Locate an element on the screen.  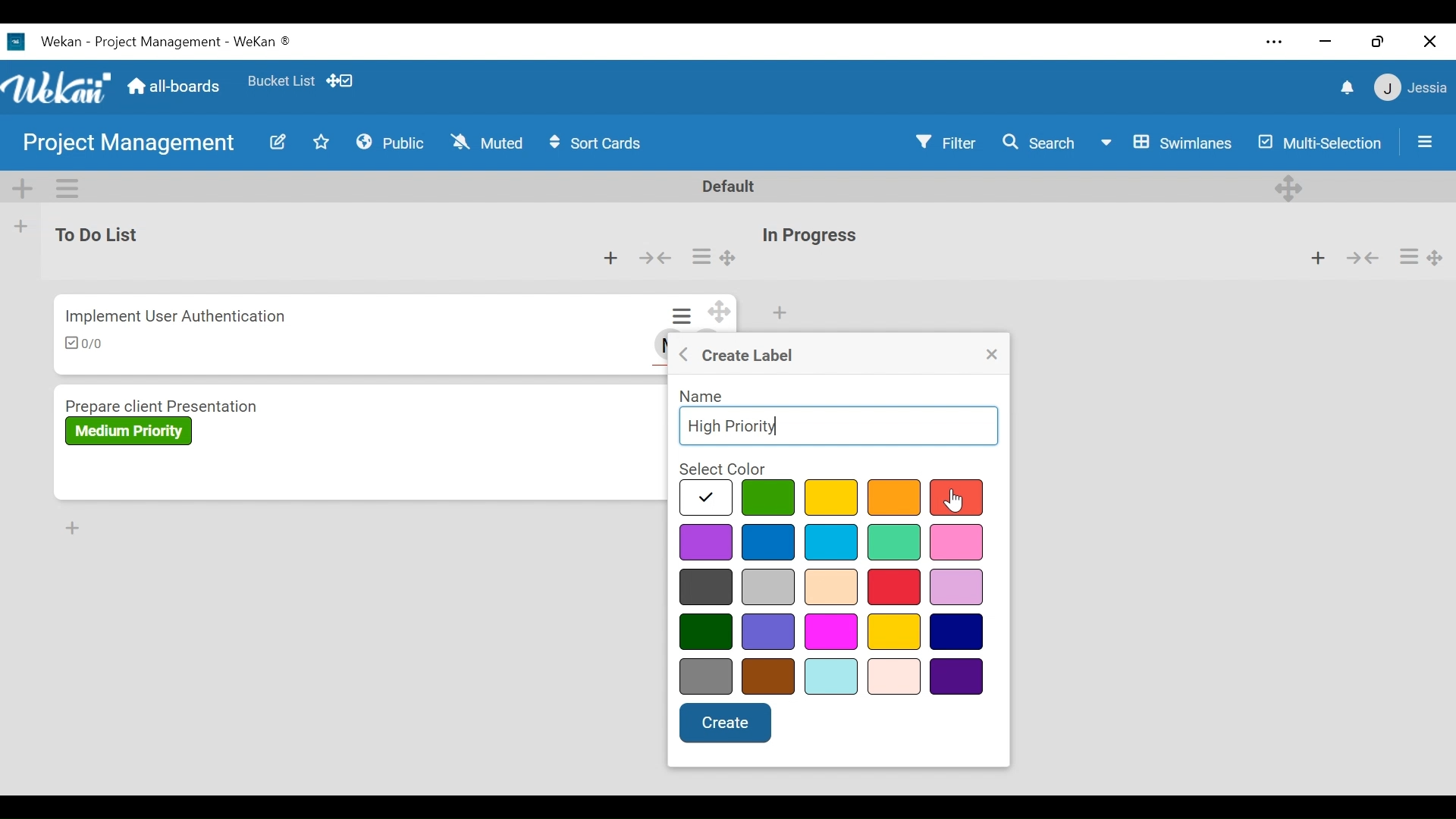
Desktop drag handles is located at coordinates (722, 312).